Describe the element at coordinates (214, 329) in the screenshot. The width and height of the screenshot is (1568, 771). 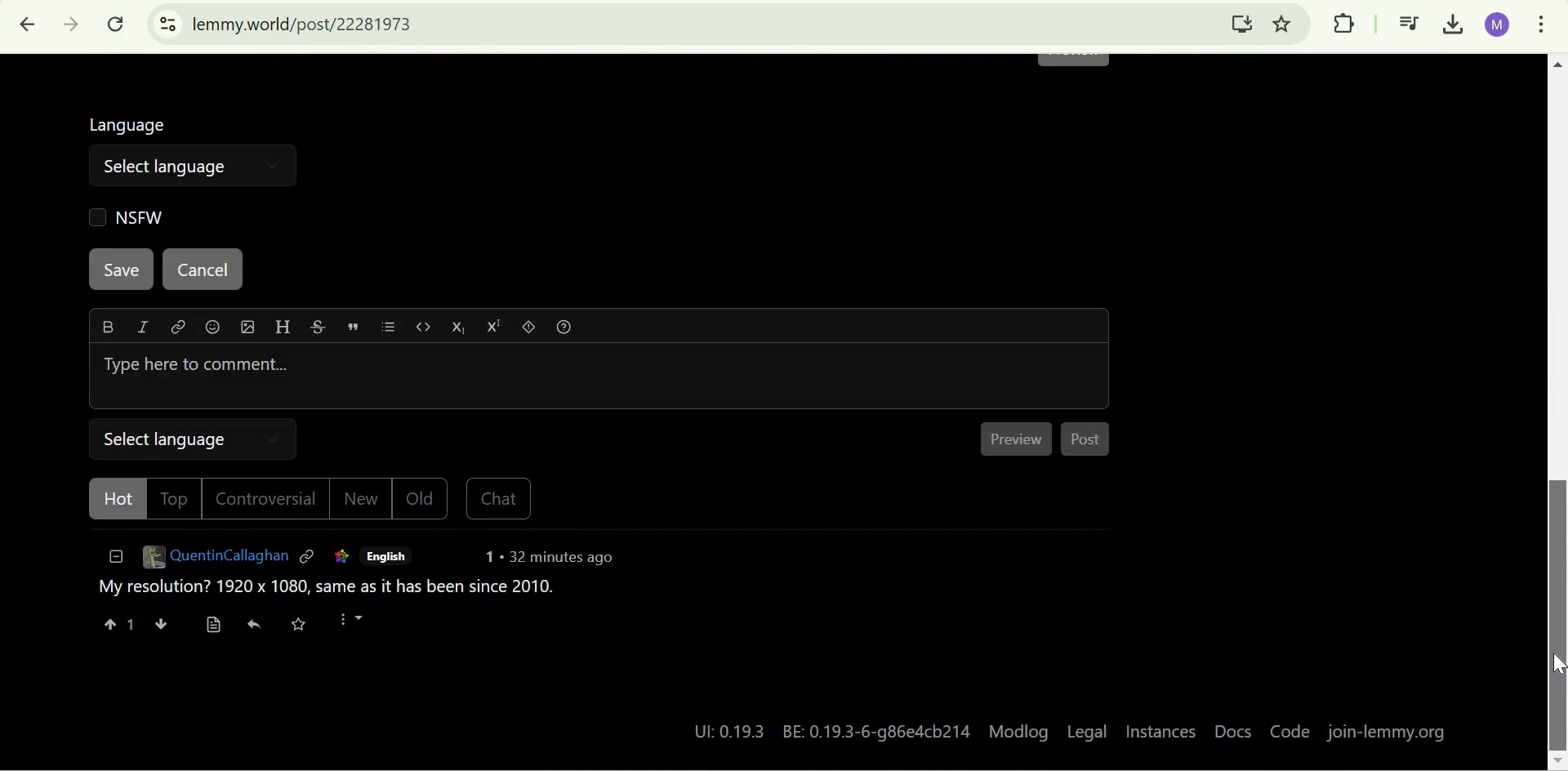
I see `emoji` at that location.